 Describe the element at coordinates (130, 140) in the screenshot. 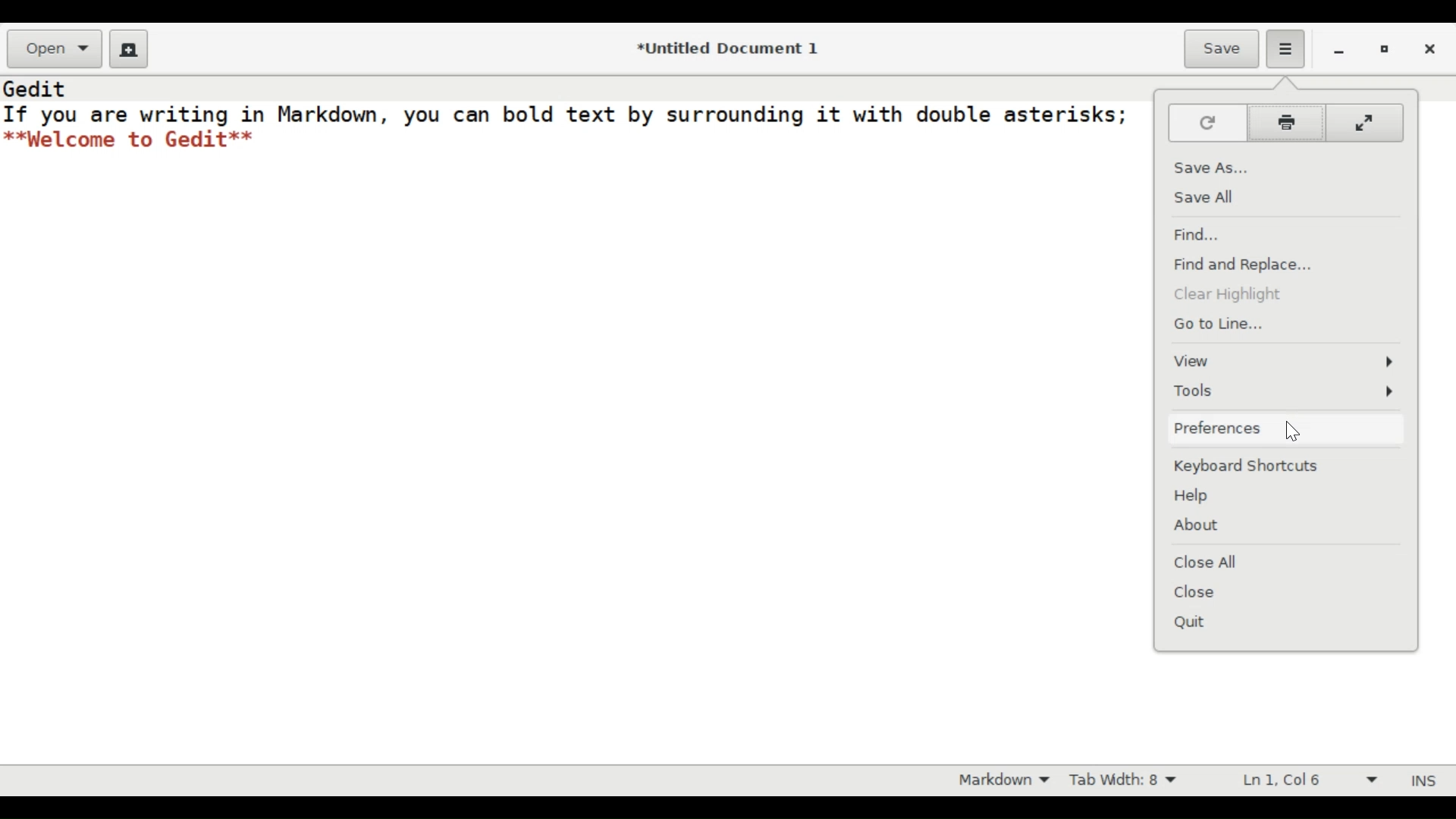

I see `**Welcome to Gedit**` at that location.